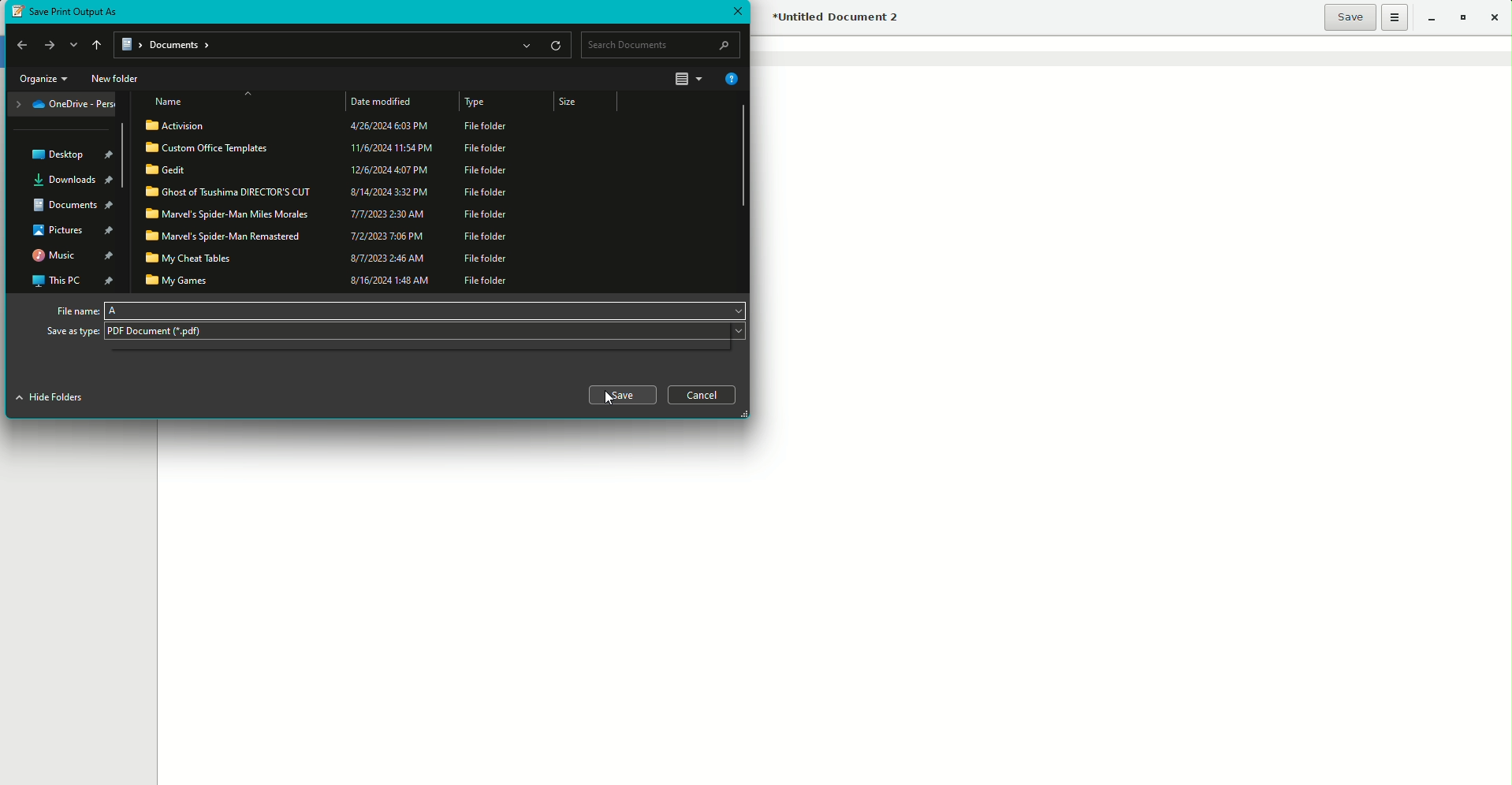  I want to click on Save print output as, so click(70, 12).